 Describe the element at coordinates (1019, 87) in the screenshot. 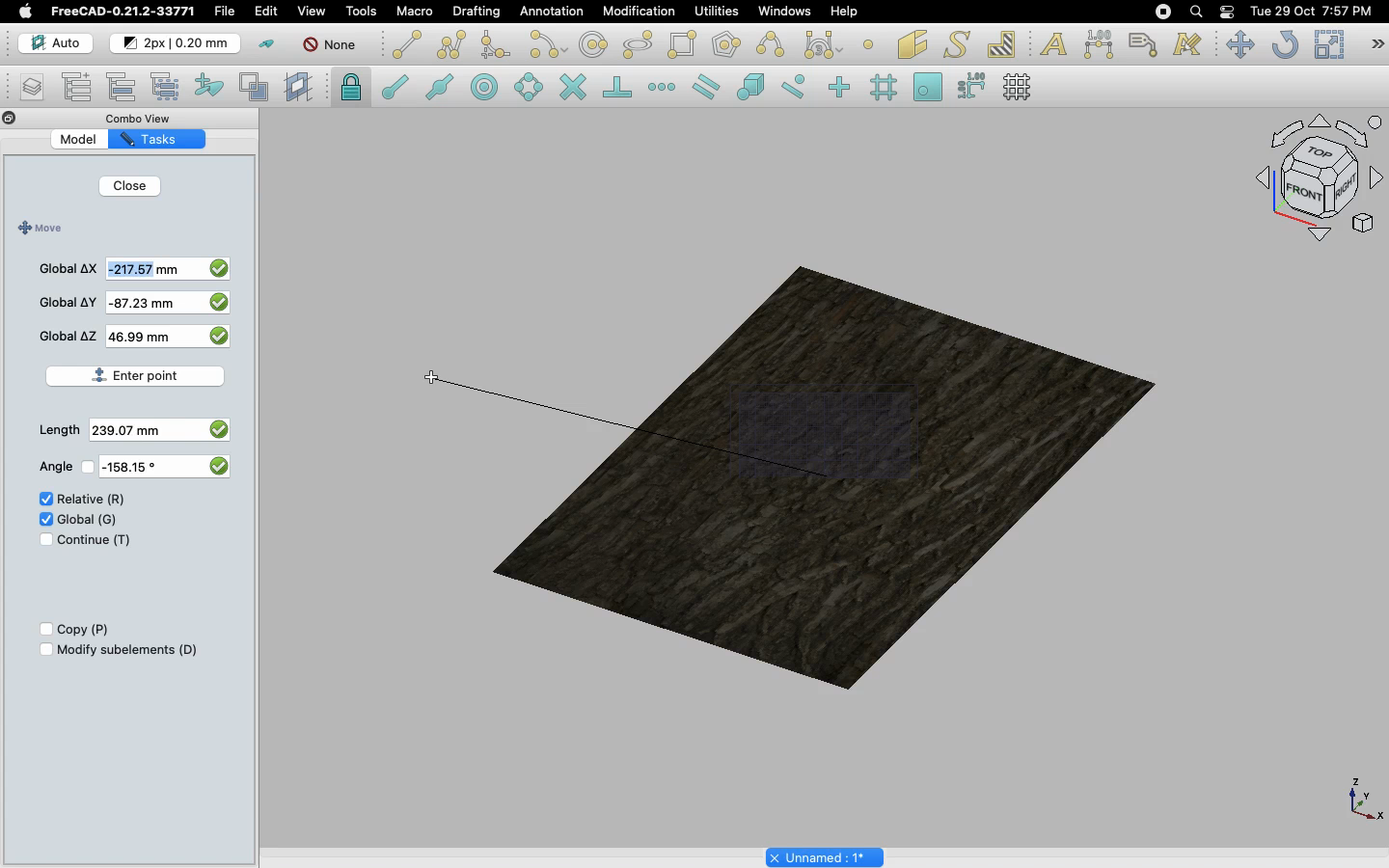

I see `Toggle grid` at that location.